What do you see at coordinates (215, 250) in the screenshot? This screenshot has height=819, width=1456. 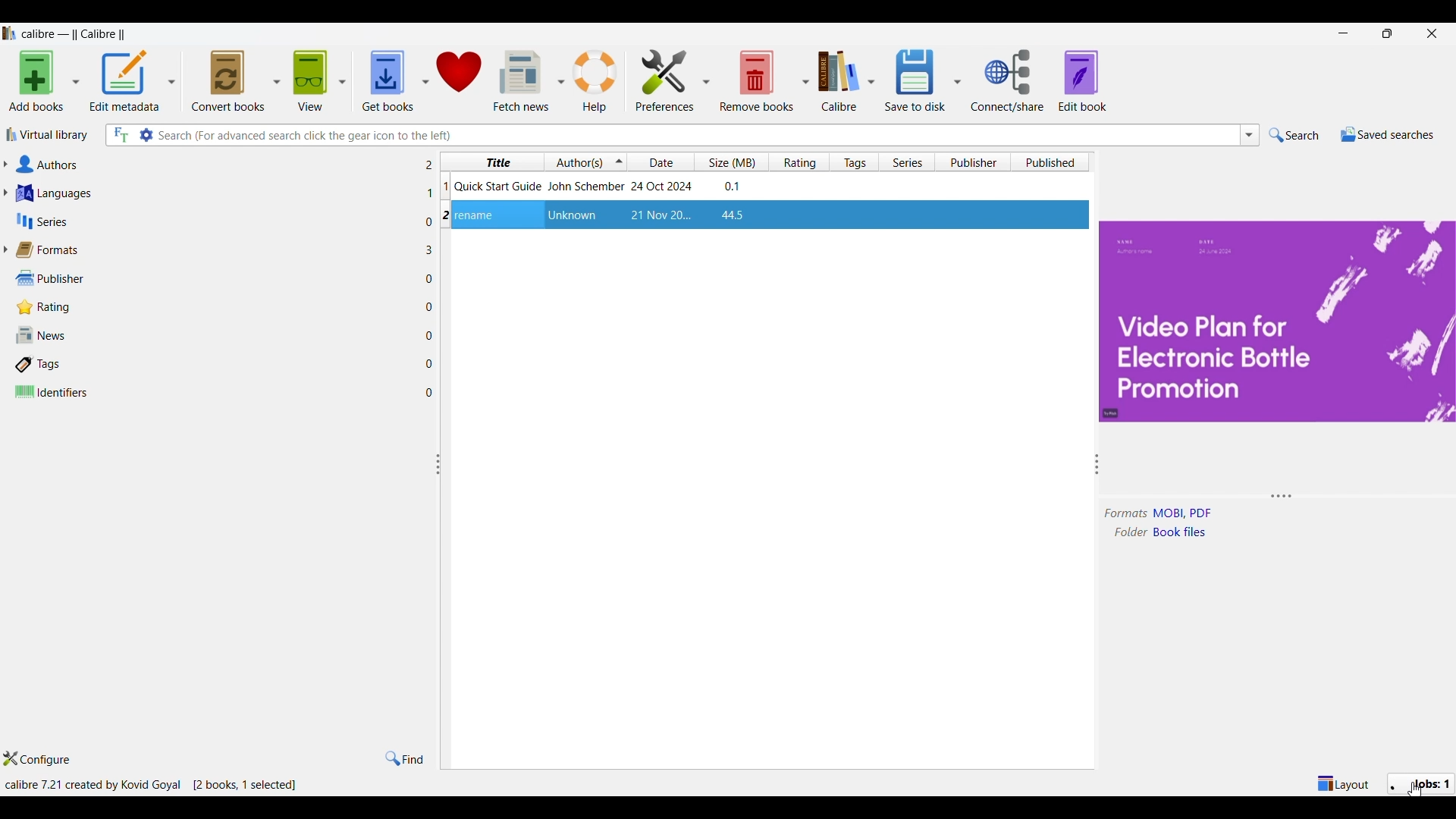 I see `Formats` at bounding box center [215, 250].